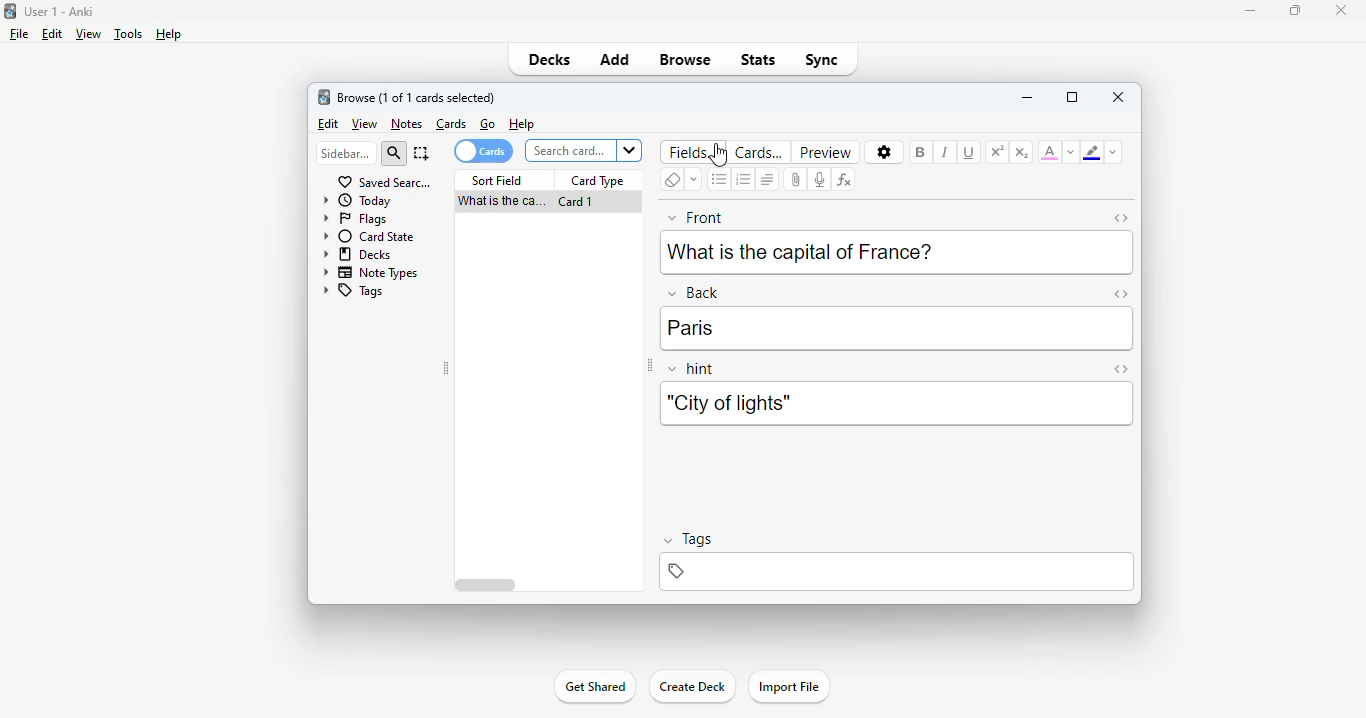 This screenshot has height=718, width=1366. I want to click on flags, so click(353, 218).